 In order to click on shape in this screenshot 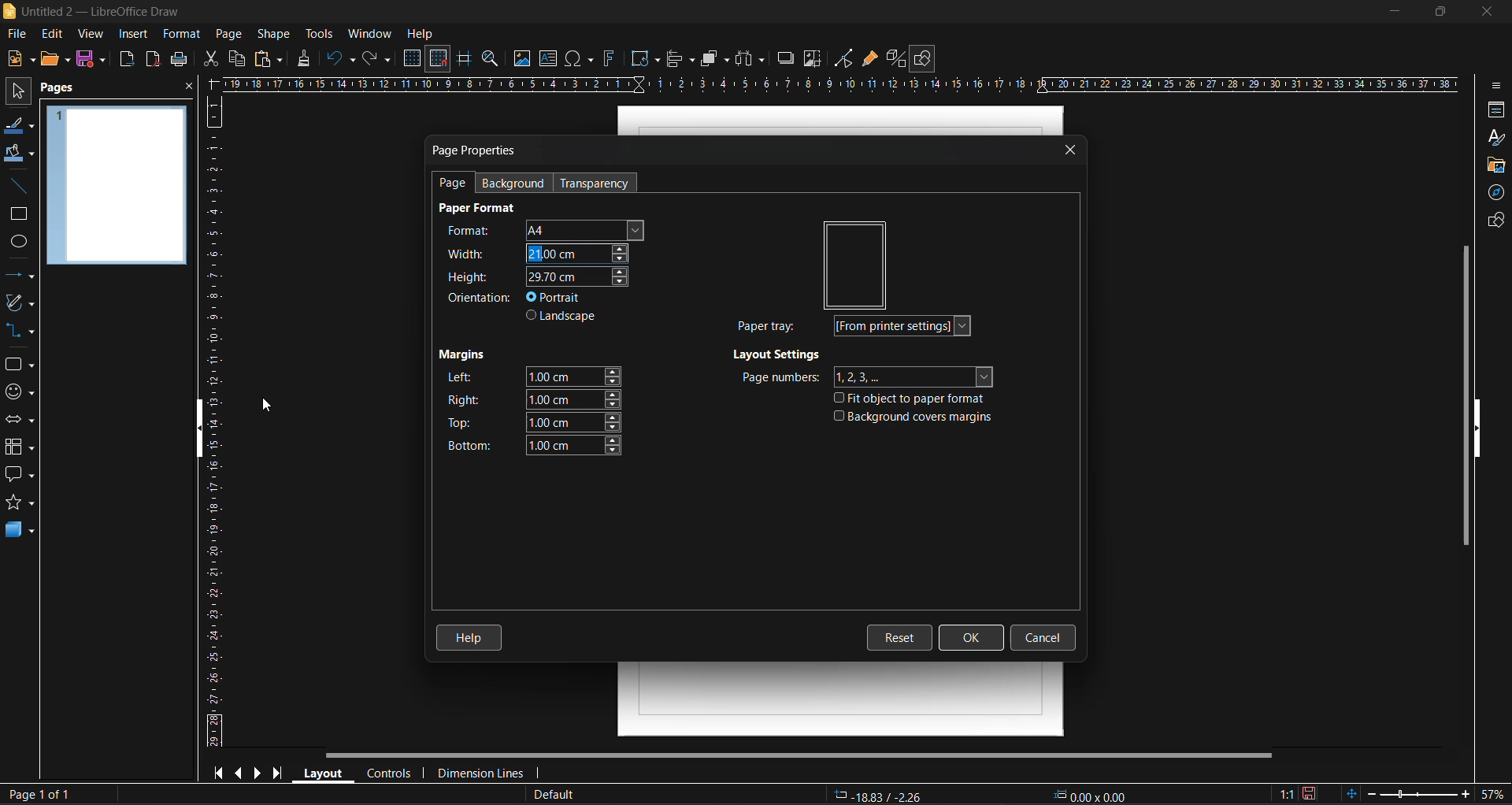, I will do `click(273, 33)`.